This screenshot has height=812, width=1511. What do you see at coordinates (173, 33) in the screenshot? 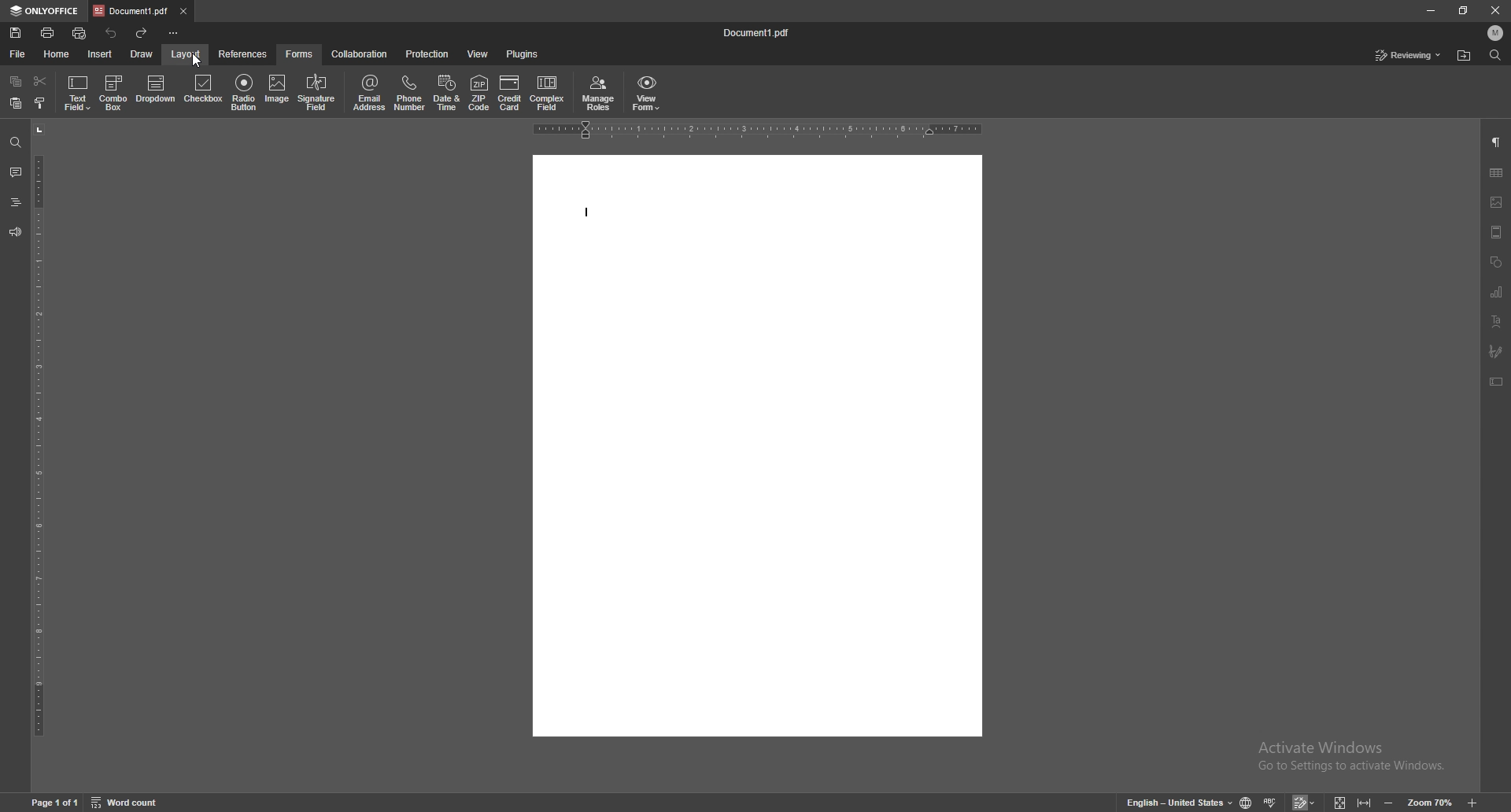
I see `customize toolbar` at bounding box center [173, 33].